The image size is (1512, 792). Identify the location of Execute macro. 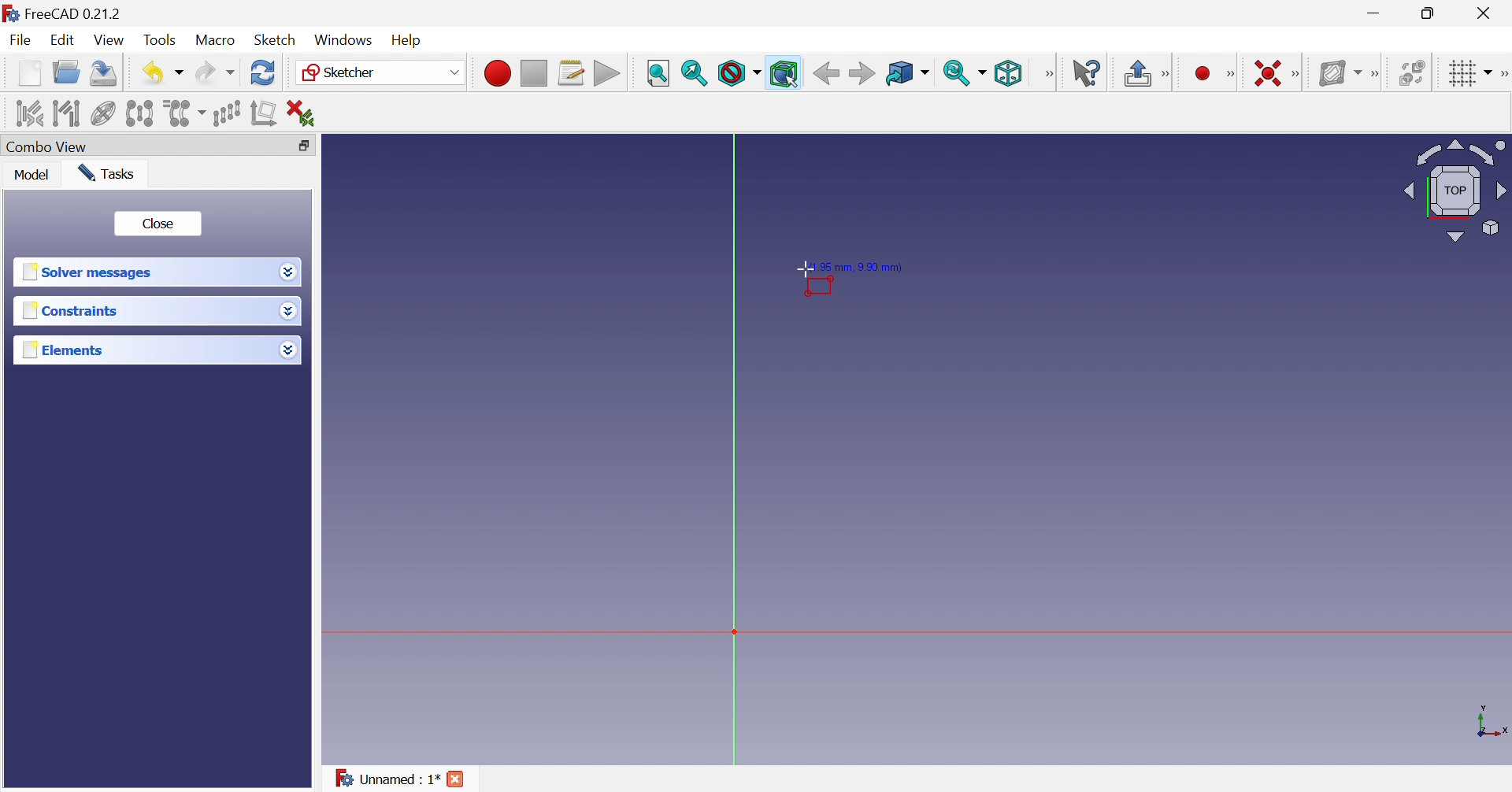
(607, 74).